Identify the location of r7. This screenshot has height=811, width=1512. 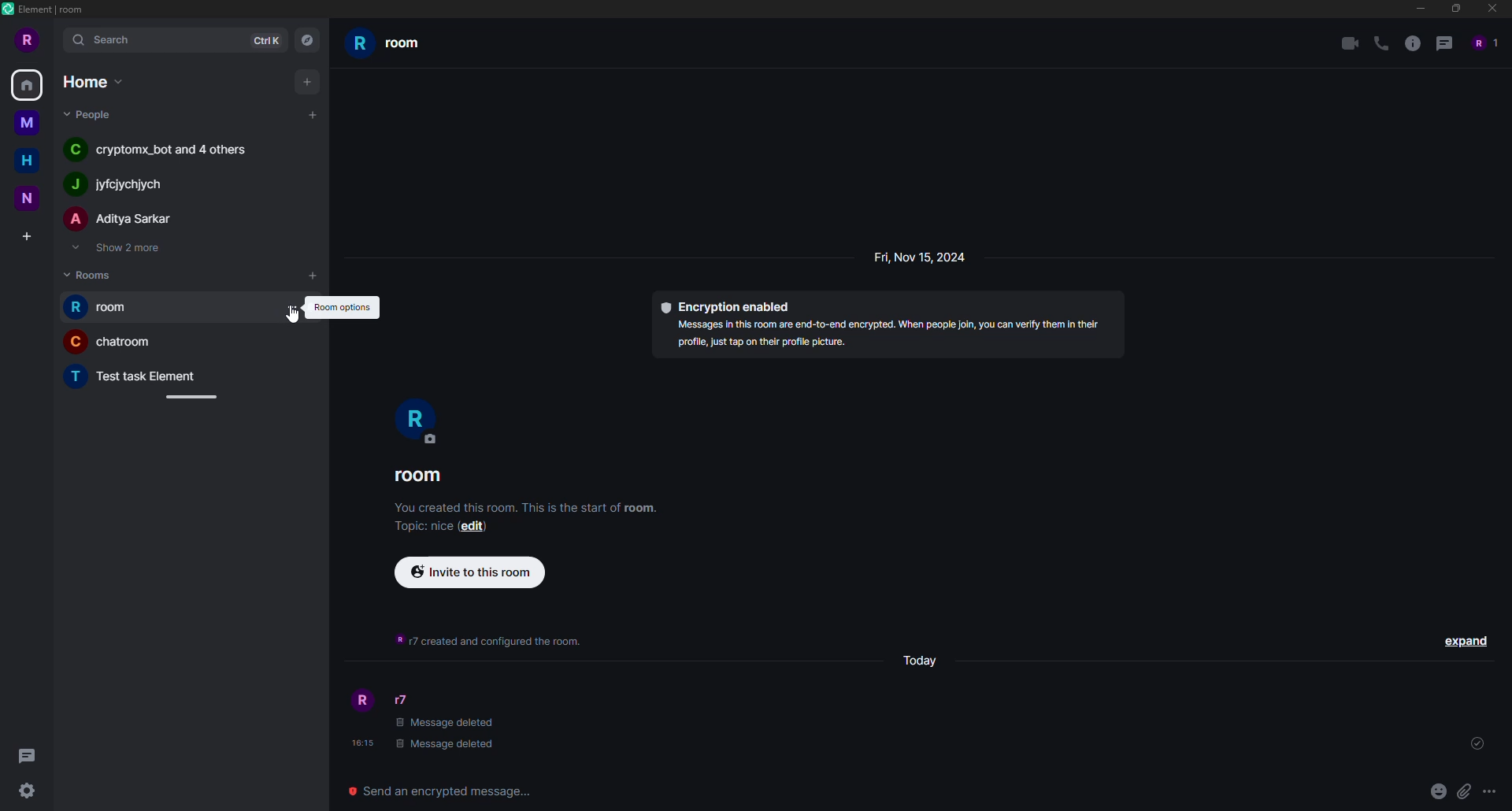
(400, 699).